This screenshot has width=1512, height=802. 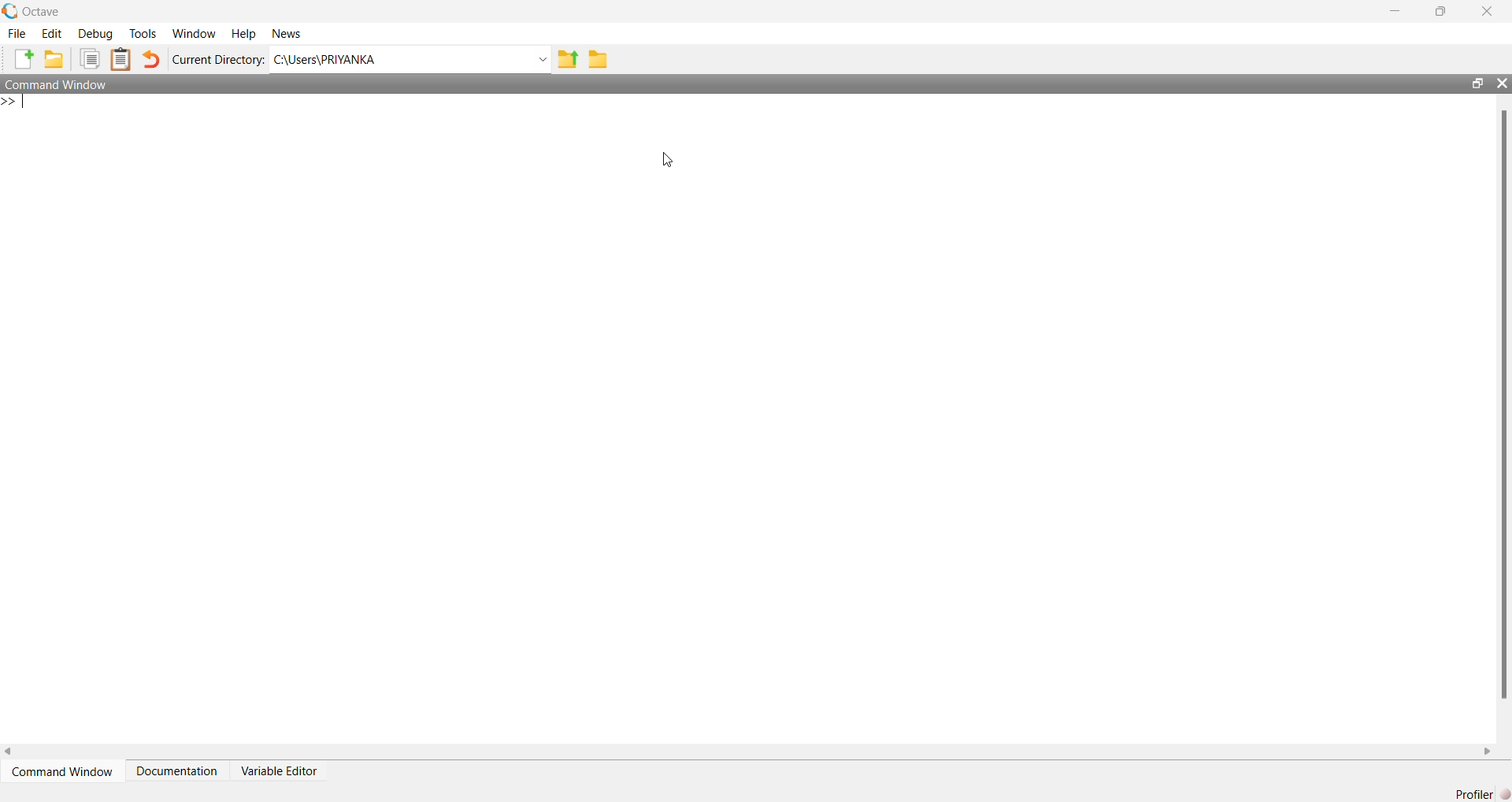 What do you see at coordinates (62, 772) in the screenshot?
I see `Command Window` at bounding box center [62, 772].